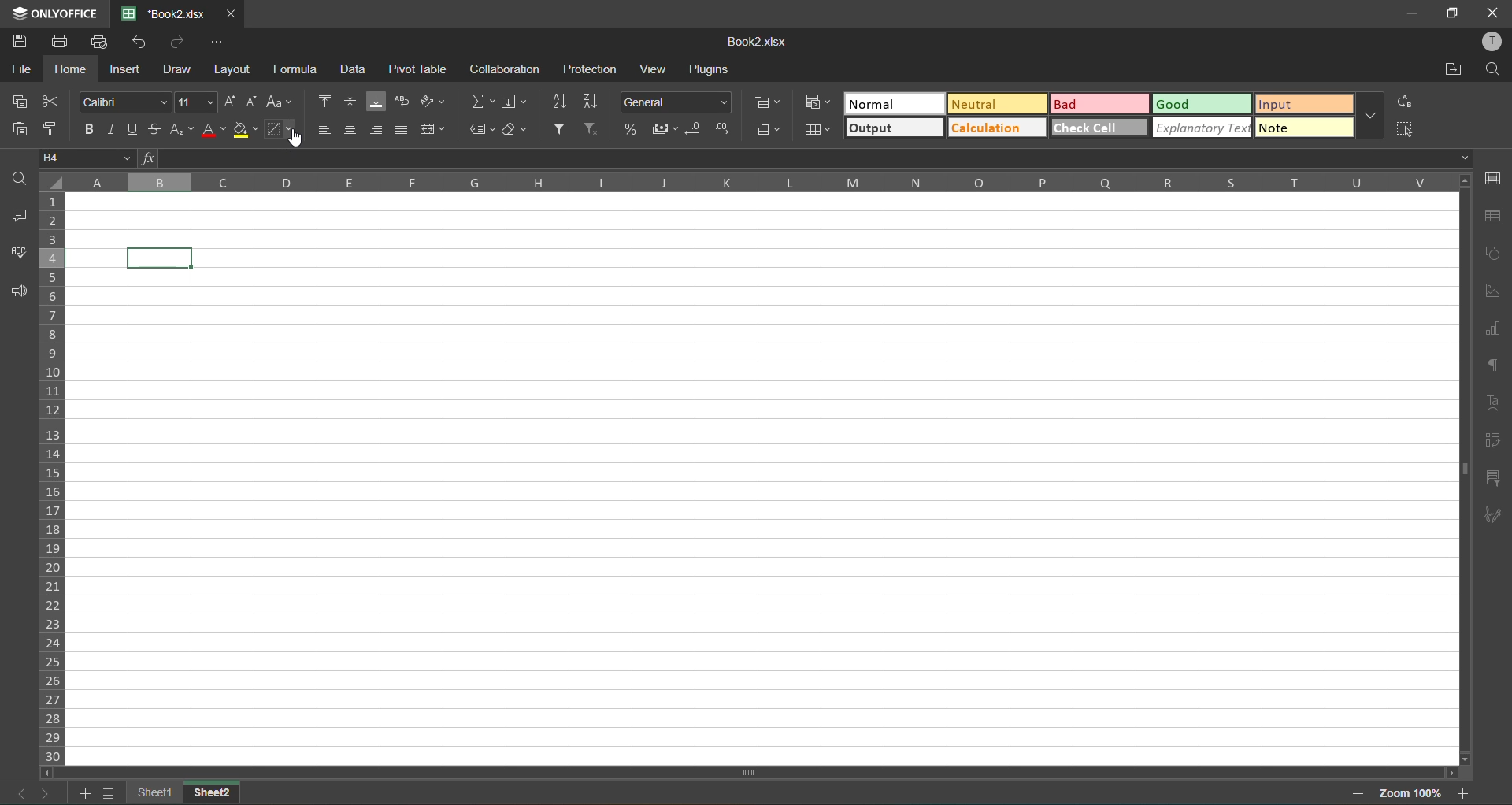  Describe the element at coordinates (109, 794) in the screenshot. I see `sheet list` at that location.